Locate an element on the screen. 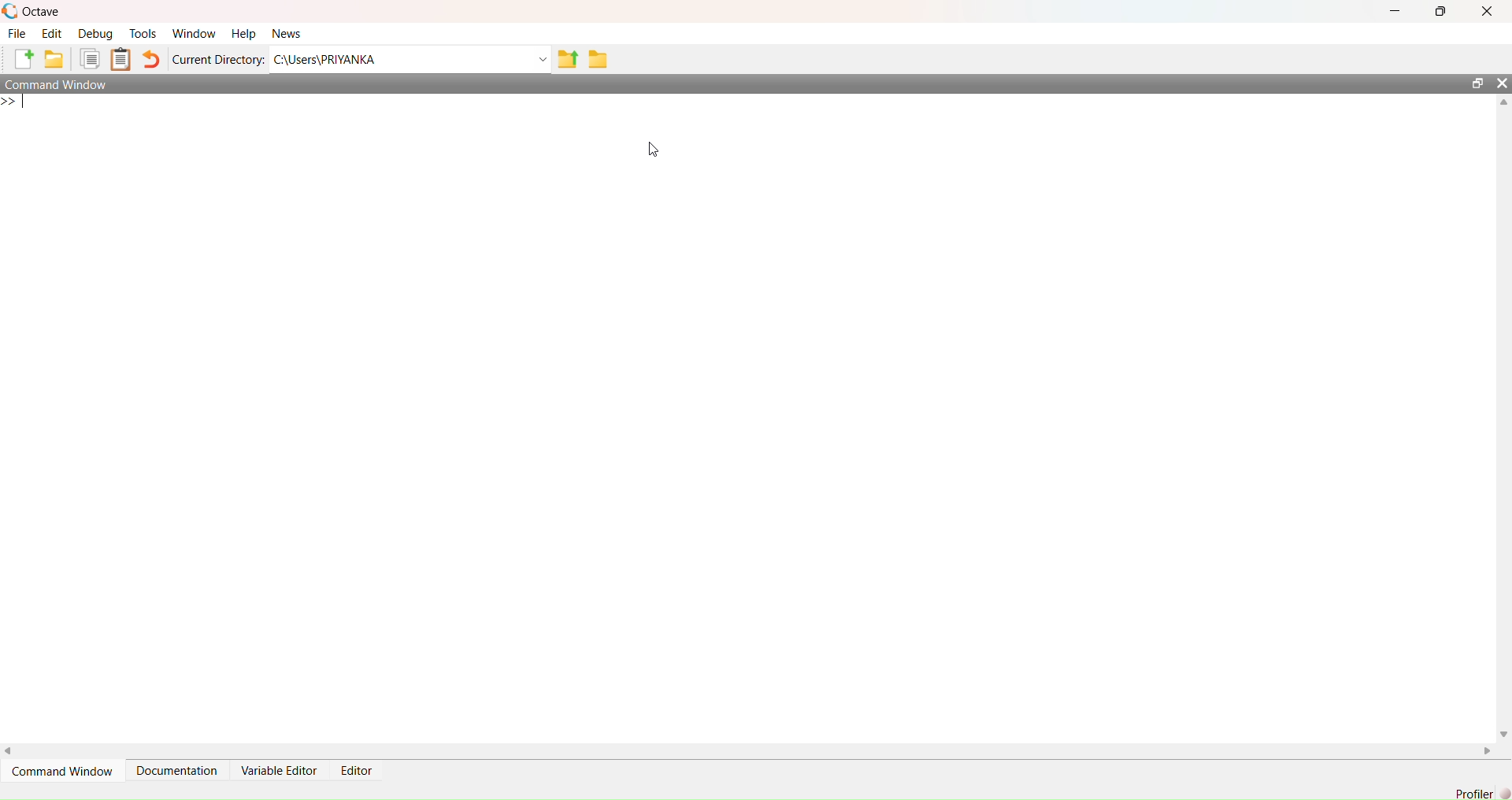  vertical scroll bar is located at coordinates (1504, 418).